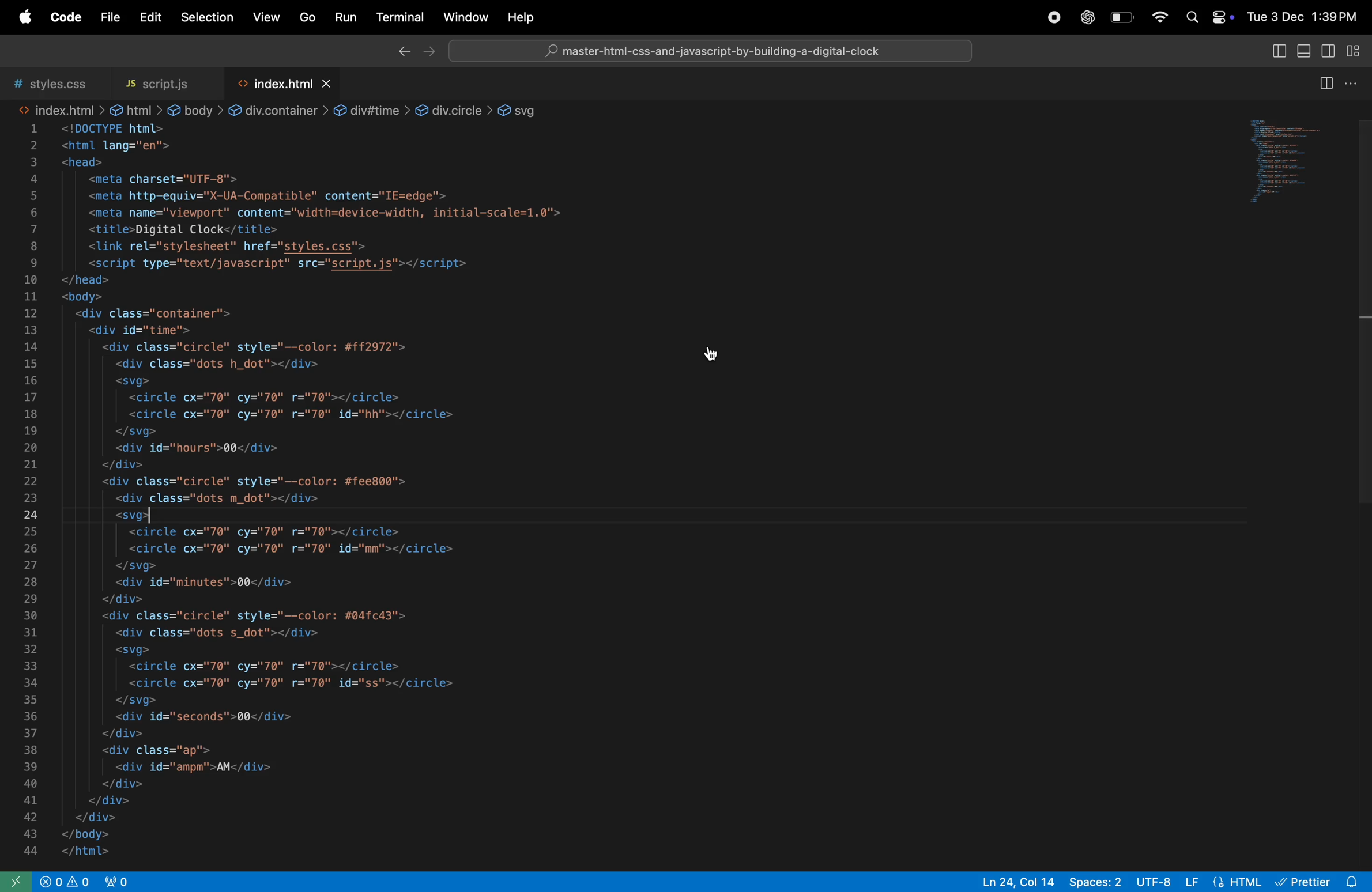  What do you see at coordinates (1331, 54) in the screenshot?
I see `toggle secondary sidebar` at bounding box center [1331, 54].